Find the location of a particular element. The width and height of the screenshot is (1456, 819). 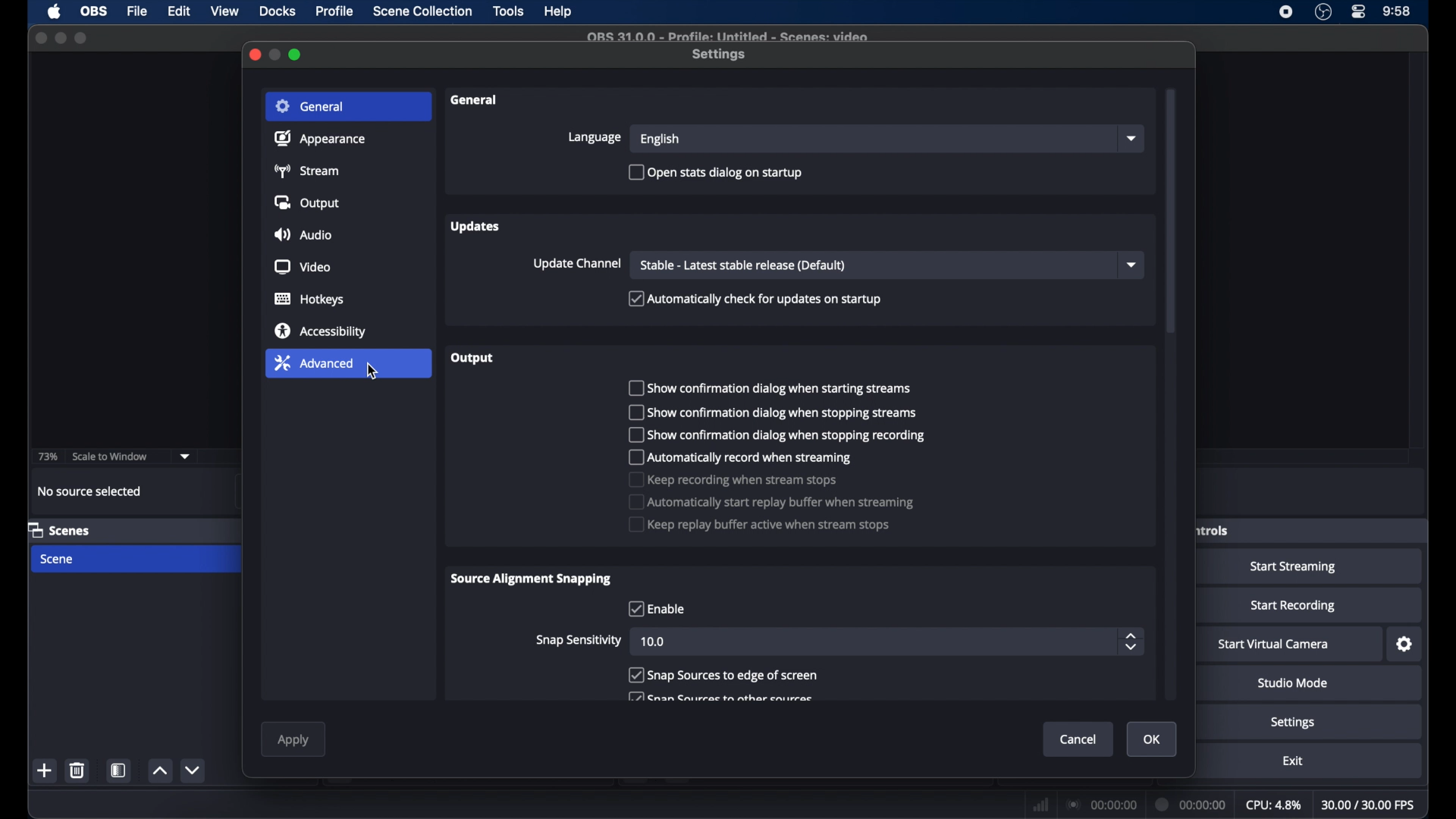

delete is located at coordinates (77, 770).